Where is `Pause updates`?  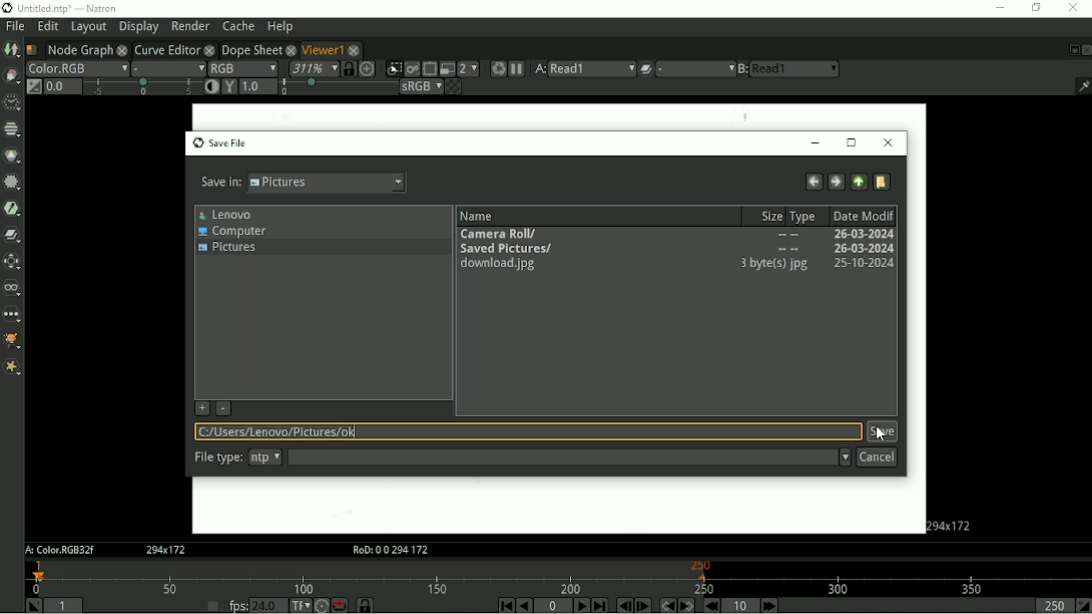 Pause updates is located at coordinates (515, 69).